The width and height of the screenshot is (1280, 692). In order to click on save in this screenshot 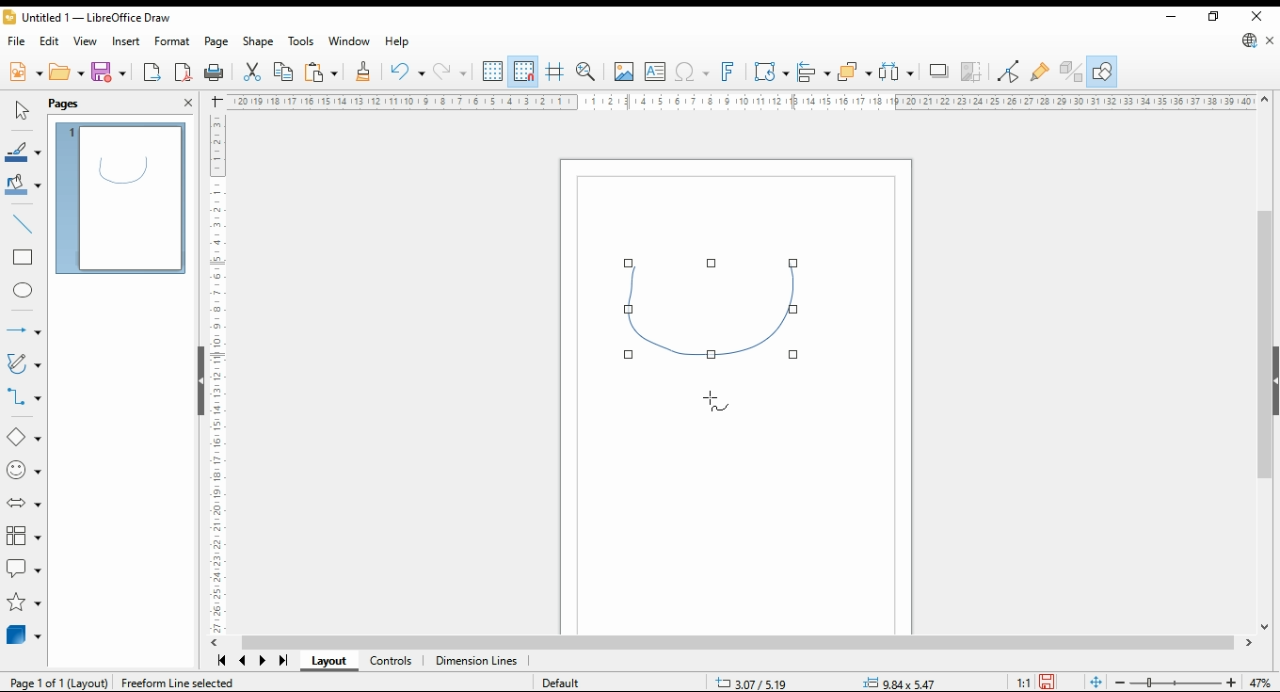, I will do `click(1046, 682)`.